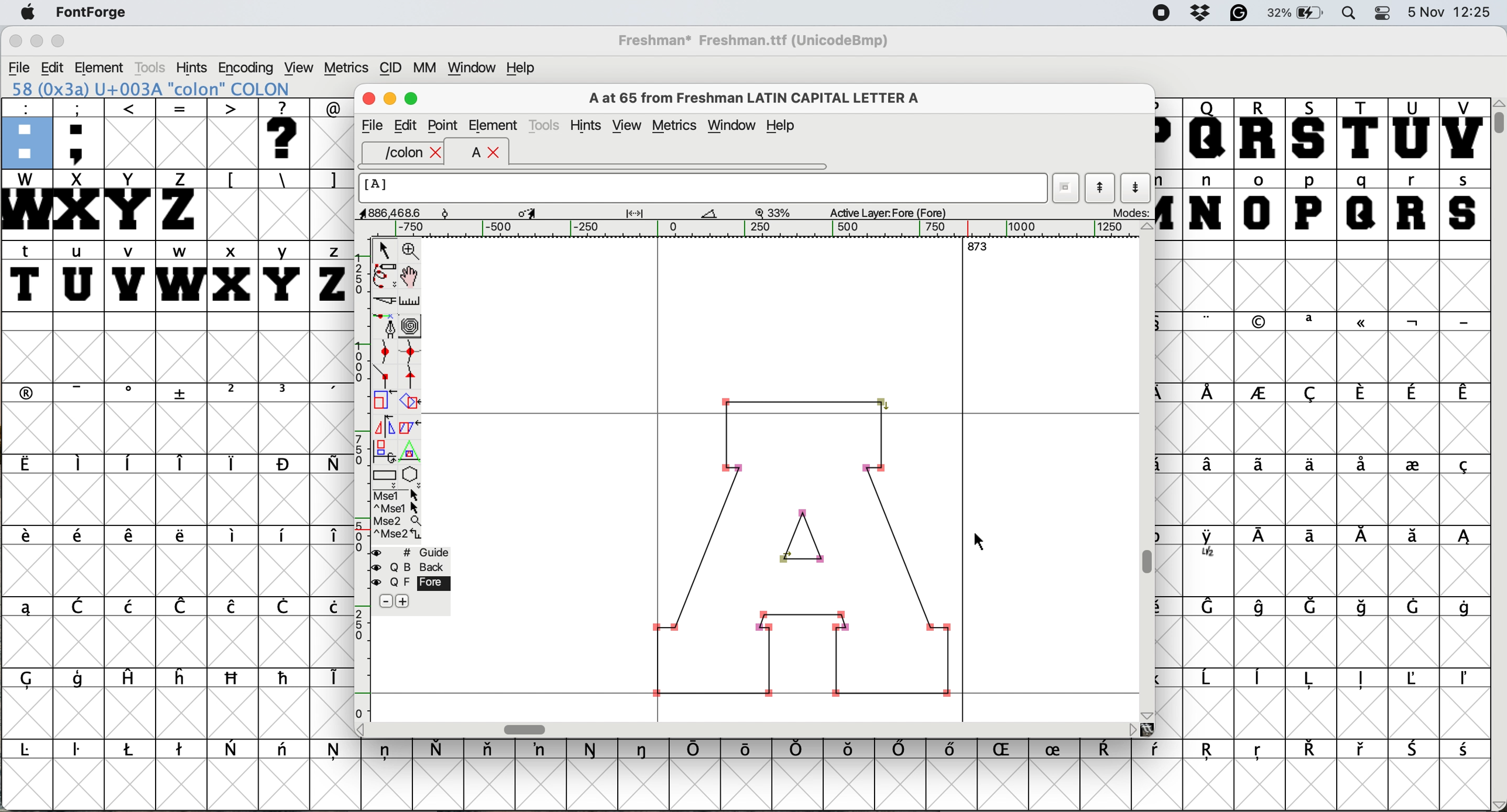 This screenshot has width=1507, height=812. I want to click on symbol, so click(1465, 607).